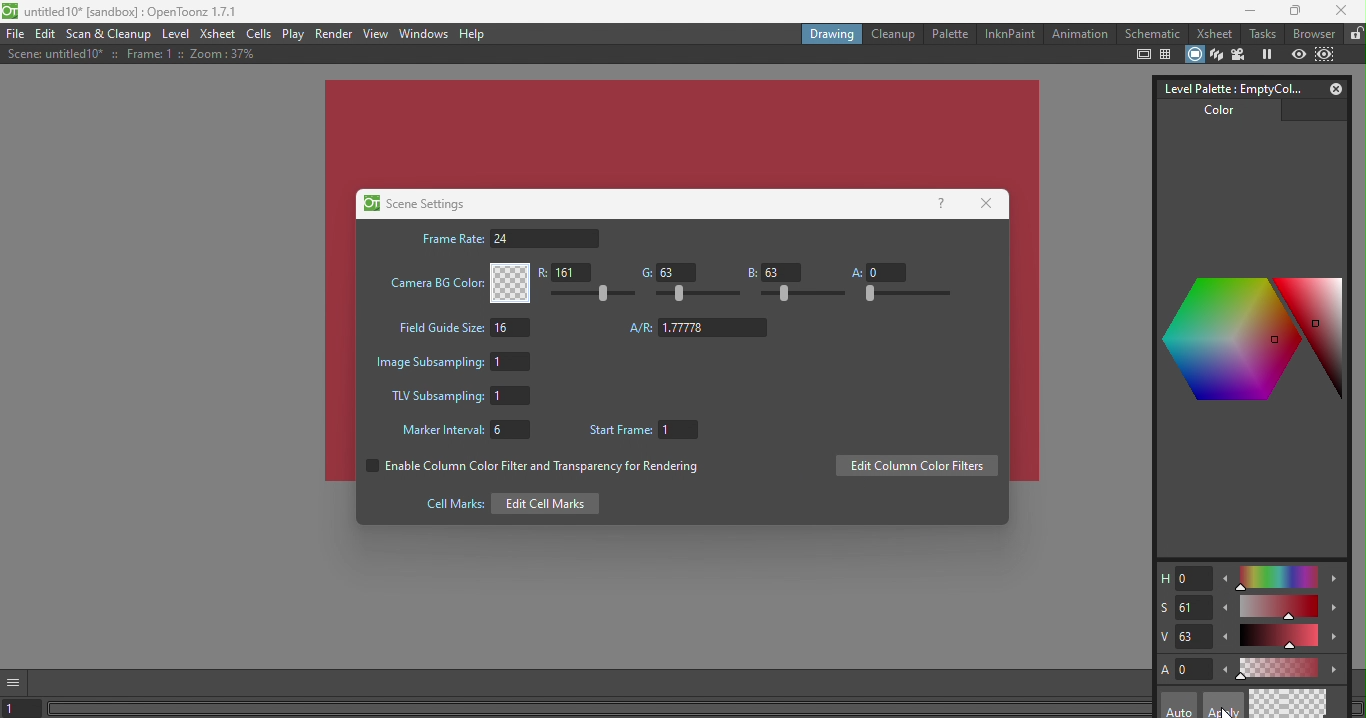 This screenshot has height=718, width=1366. I want to click on Tasks, so click(1262, 34).